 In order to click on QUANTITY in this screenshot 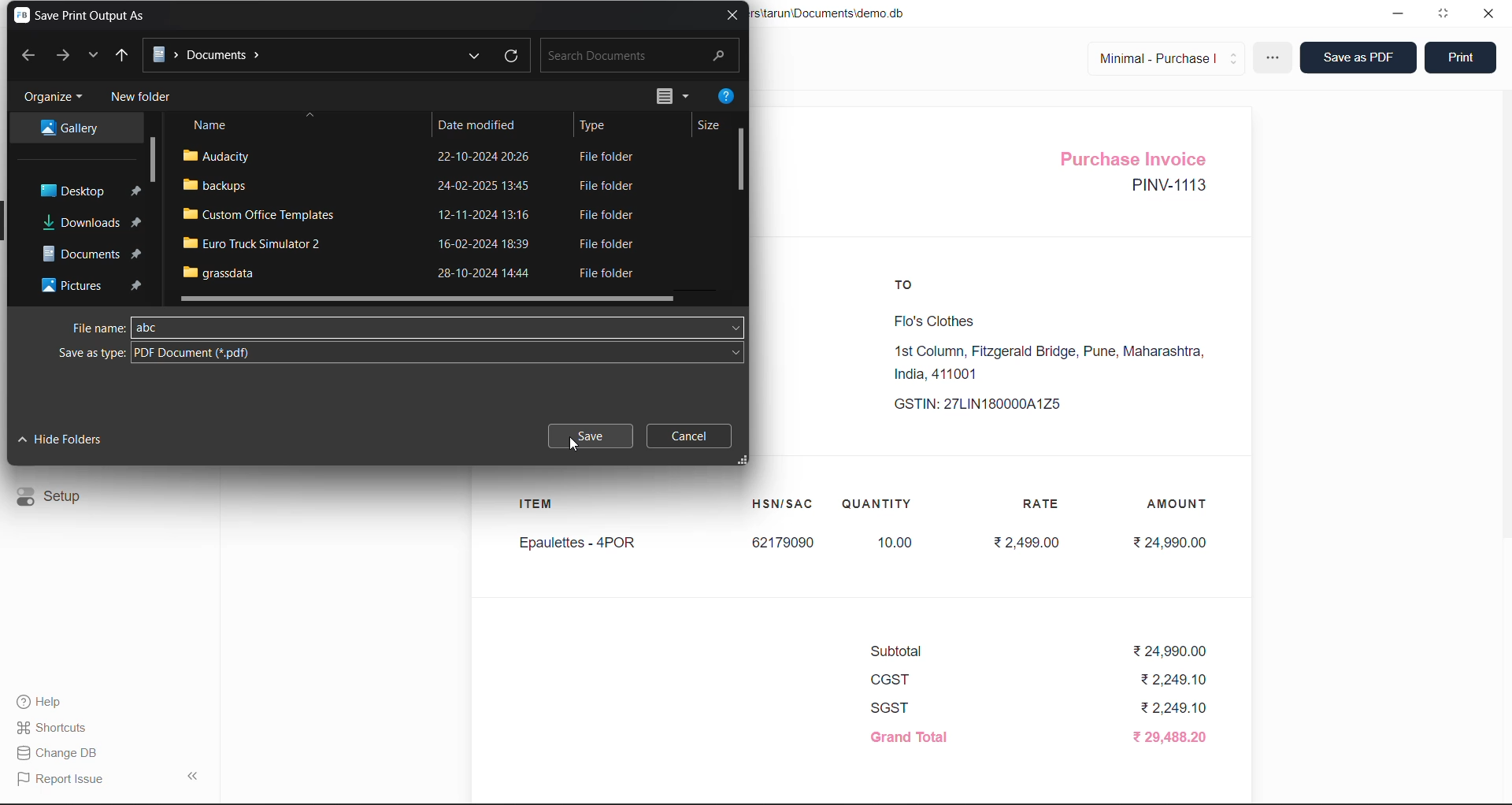, I will do `click(877, 506)`.